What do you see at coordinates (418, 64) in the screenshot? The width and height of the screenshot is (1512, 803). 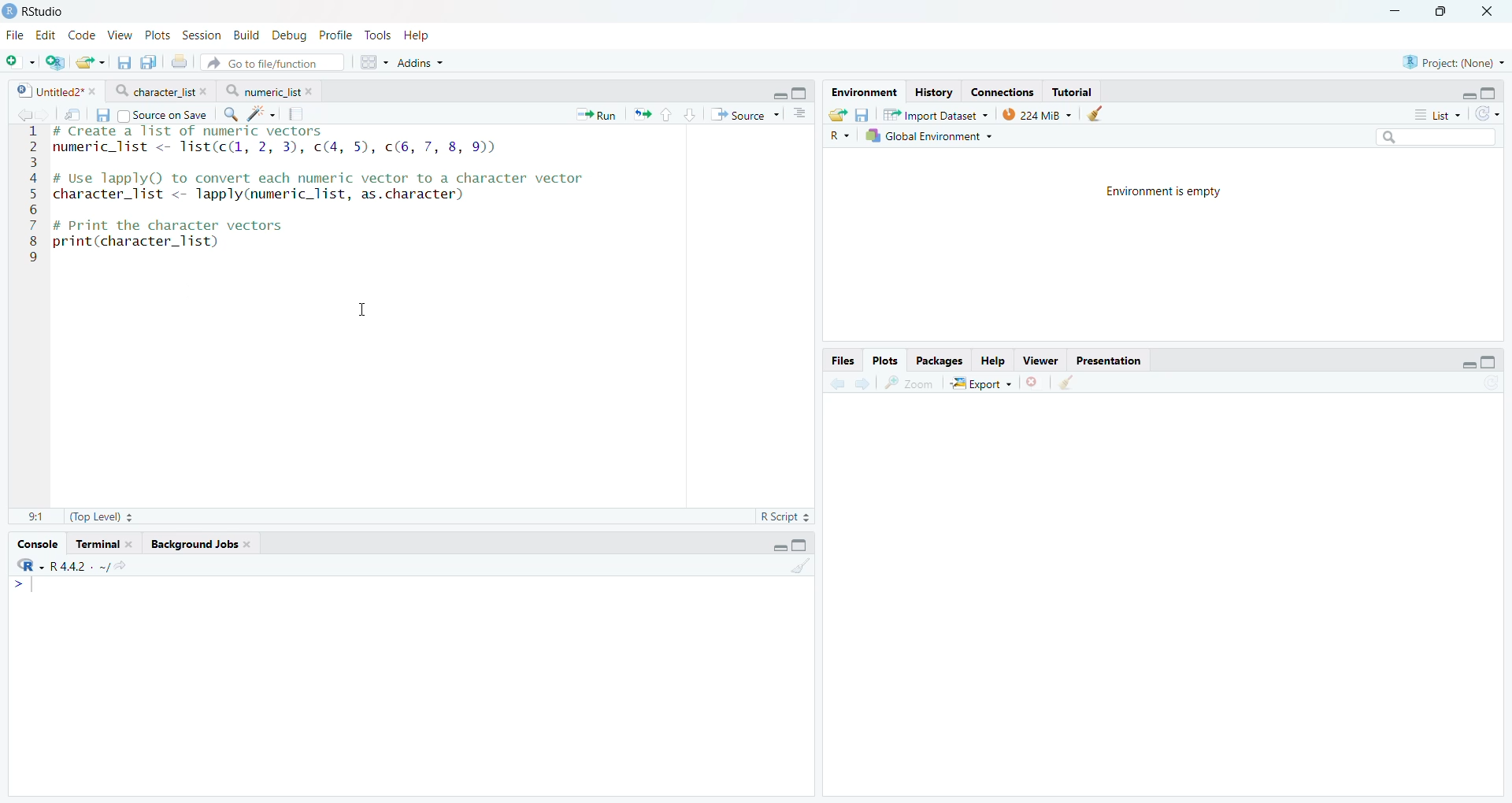 I see `Addins` at bounding box center [418, 64].